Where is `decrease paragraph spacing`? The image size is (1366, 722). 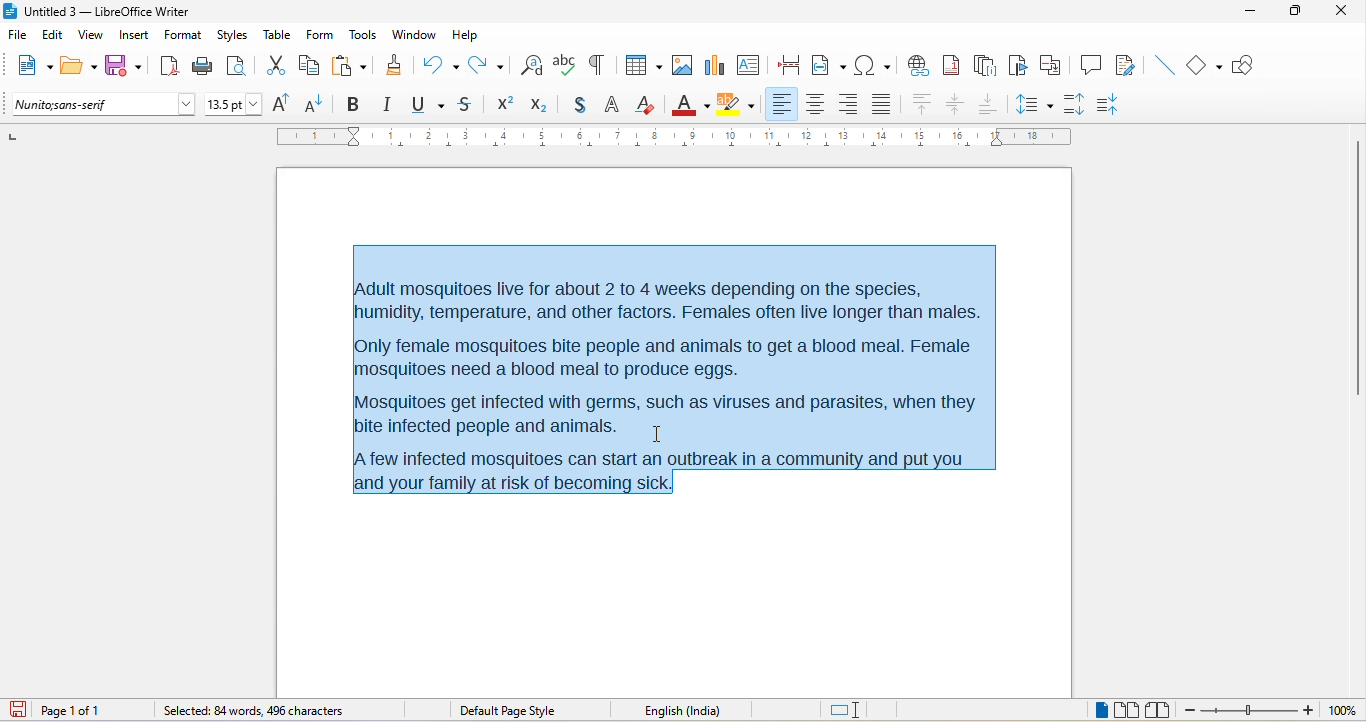
decrease paragraph spacing is located at coordinates (1112, 105).